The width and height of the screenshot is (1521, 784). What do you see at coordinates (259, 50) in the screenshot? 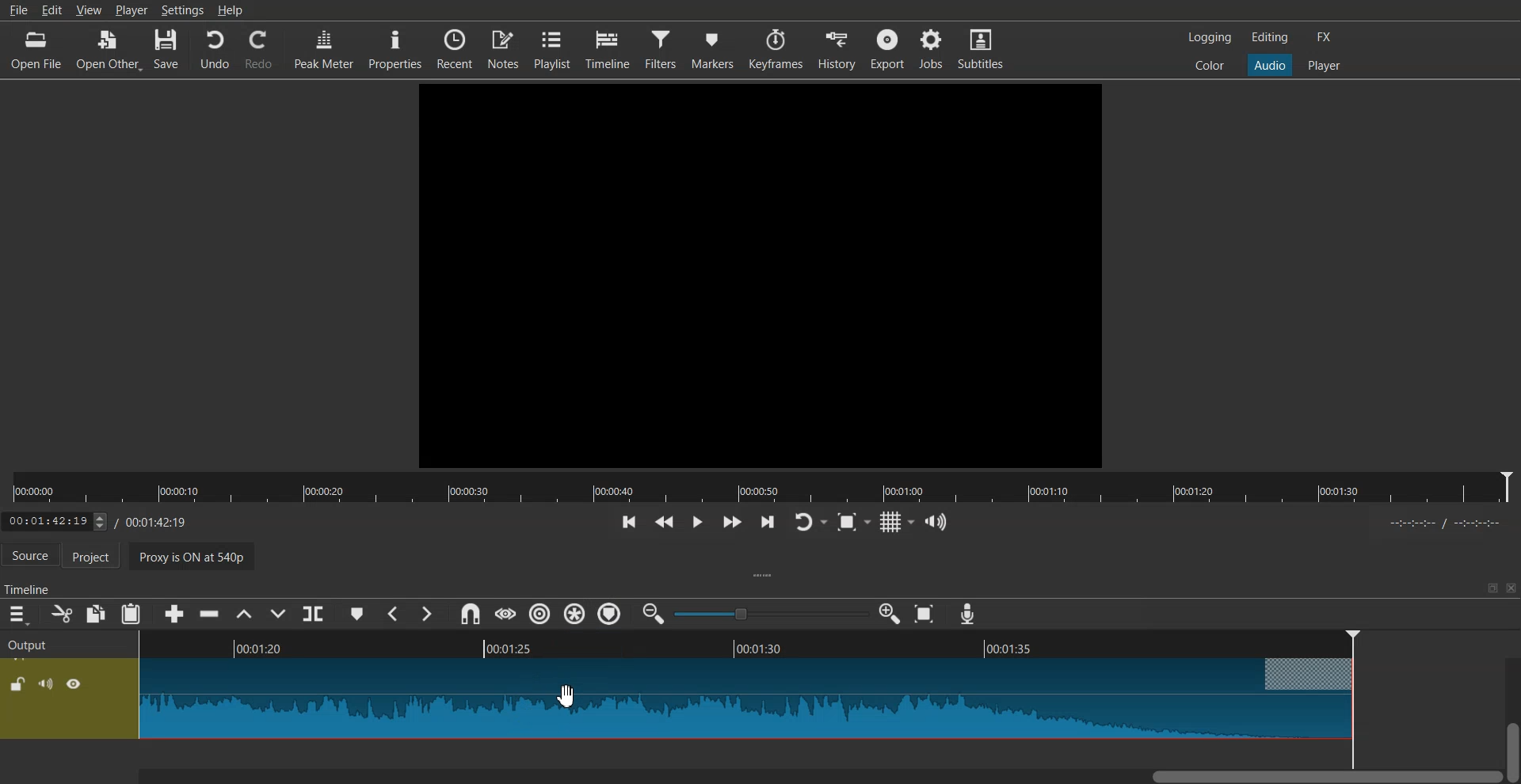
I see `Redo` at bounding box center [259, 50].